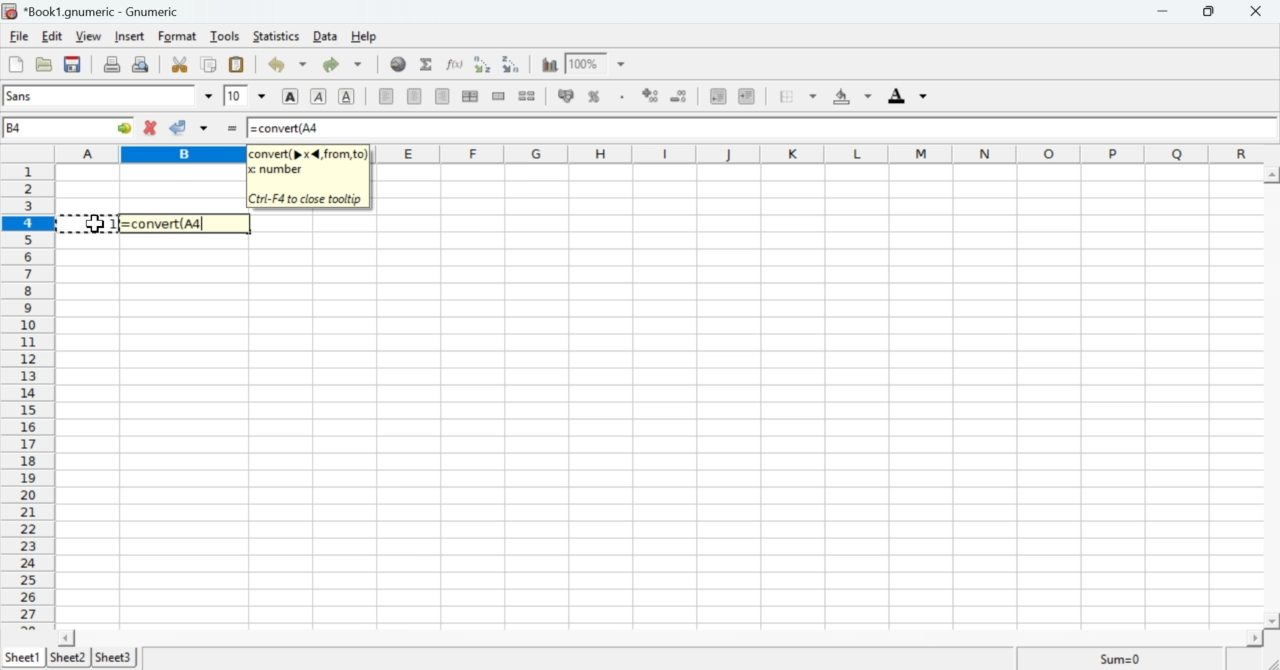 Image resolution: width=1280 pixels, height=670 pixels. I want to click on Sum into the current cell, so click(429, 63).